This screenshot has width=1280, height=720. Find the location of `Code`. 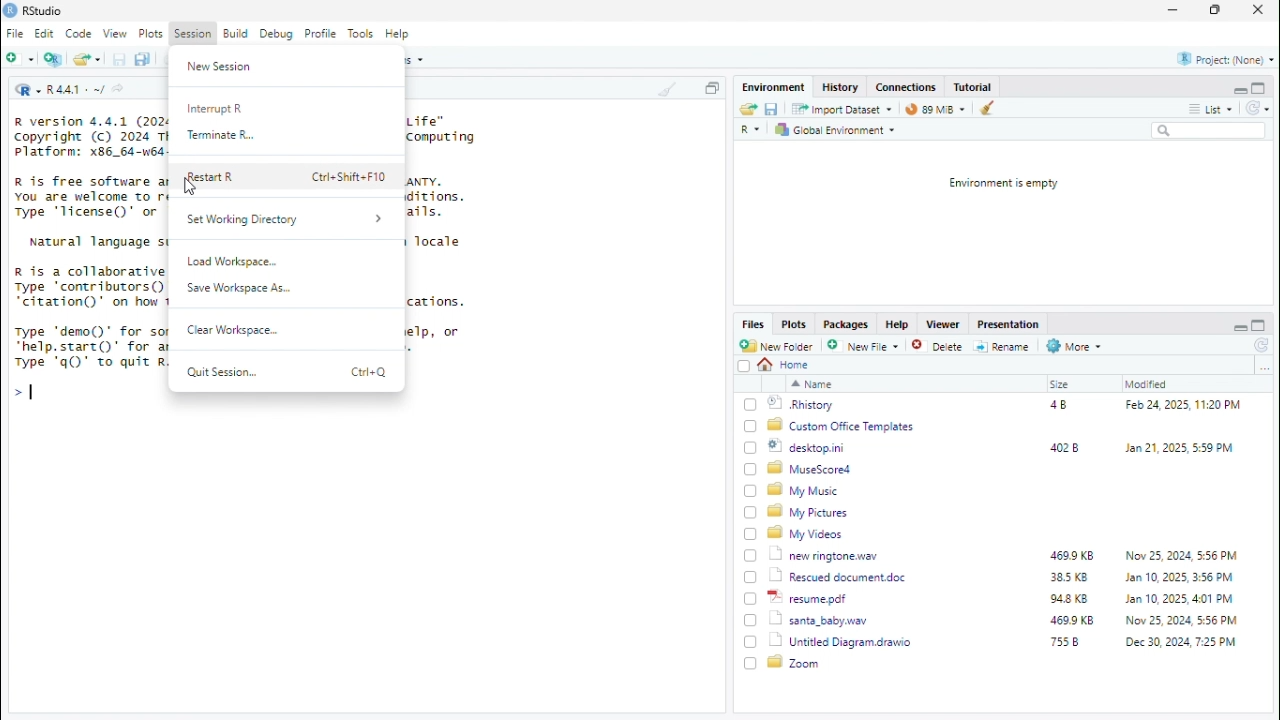

Code is located at coordinates (79, 34).